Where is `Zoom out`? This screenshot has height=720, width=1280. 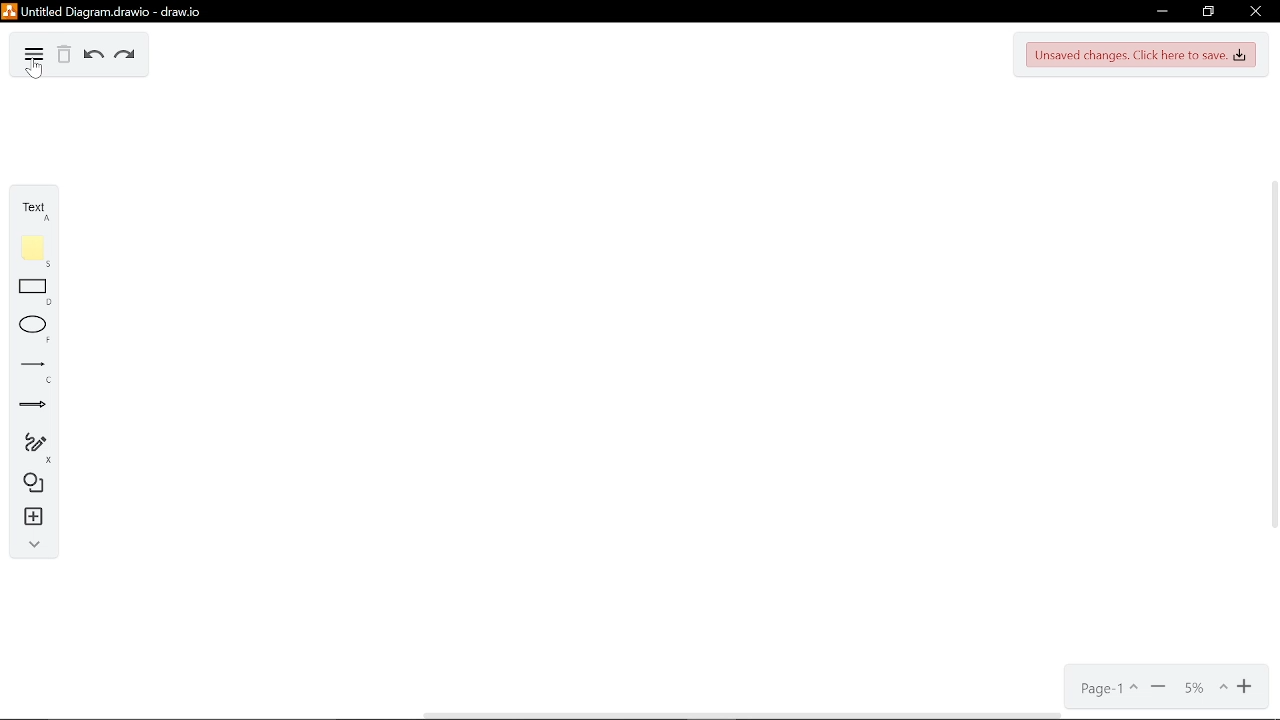
Zoom out is located at coordinates (1158, 685).